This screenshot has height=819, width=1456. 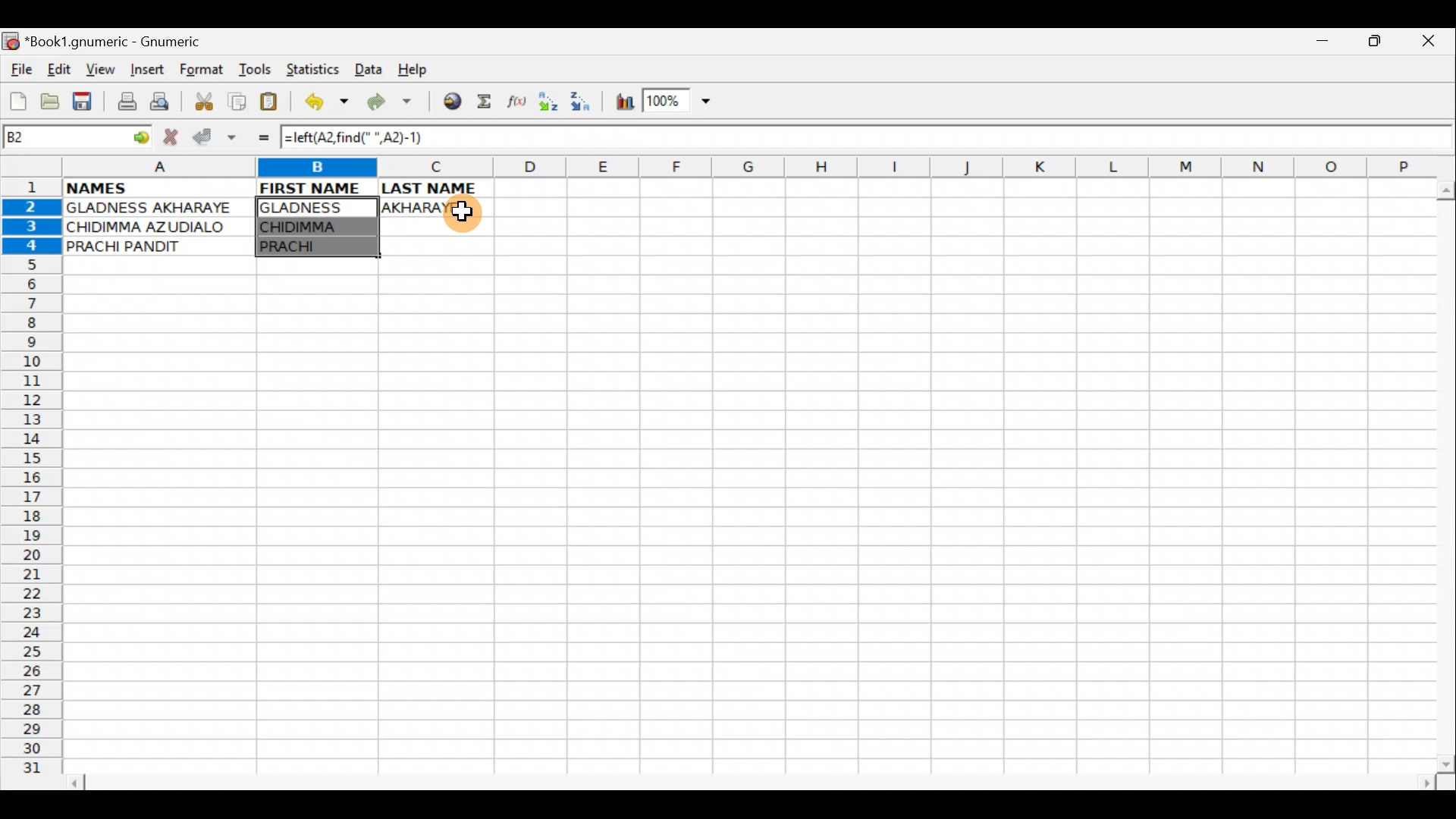 What do you see at coordinates (58, 69) in the screenshot?
I see `Edit` at bounding box center [58, 69].